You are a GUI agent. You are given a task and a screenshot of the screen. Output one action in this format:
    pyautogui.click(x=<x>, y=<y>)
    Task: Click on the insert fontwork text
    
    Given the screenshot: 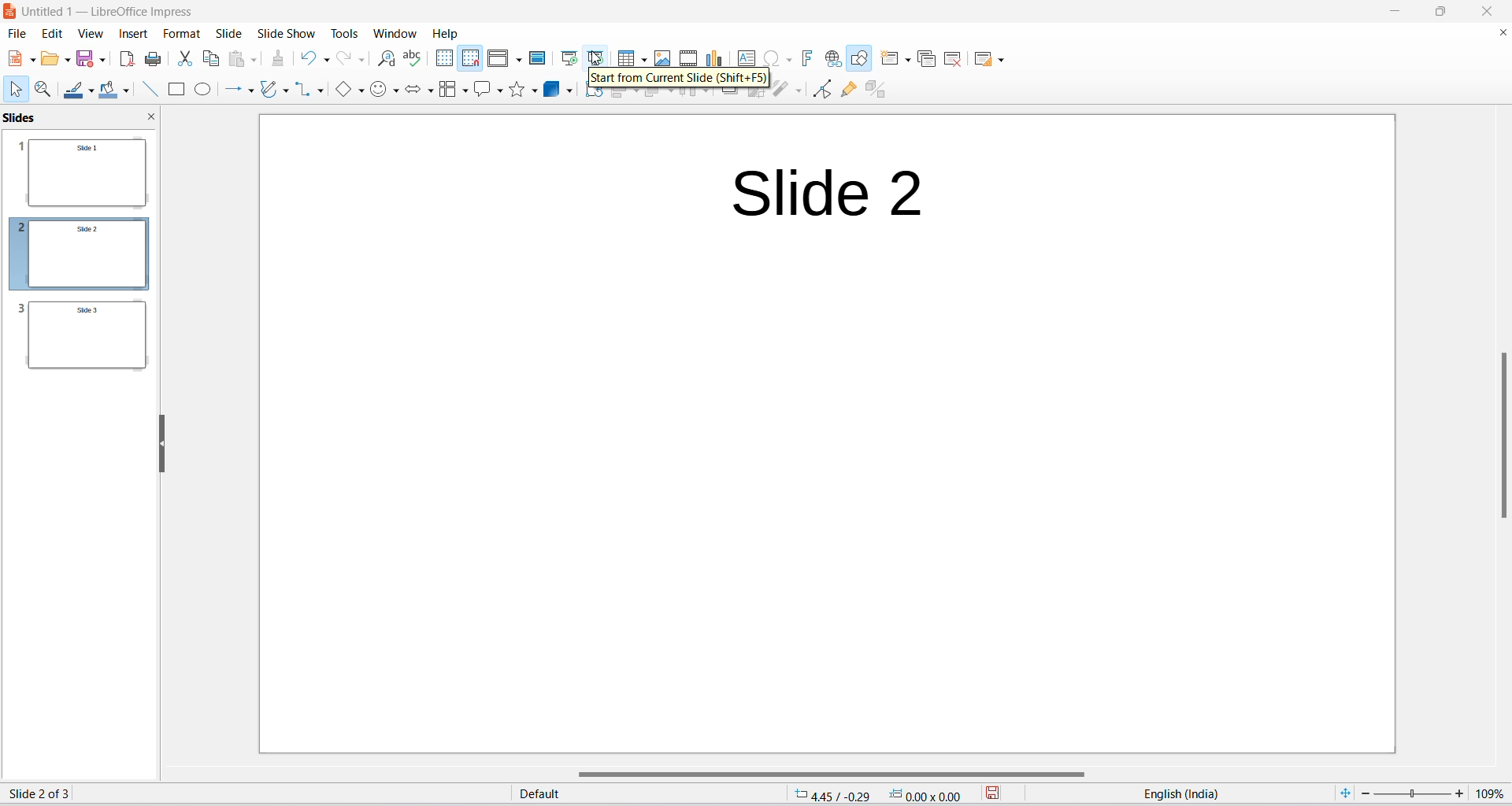 What is the action you would take?
    pyautogui.click(x=810, y=58)
    